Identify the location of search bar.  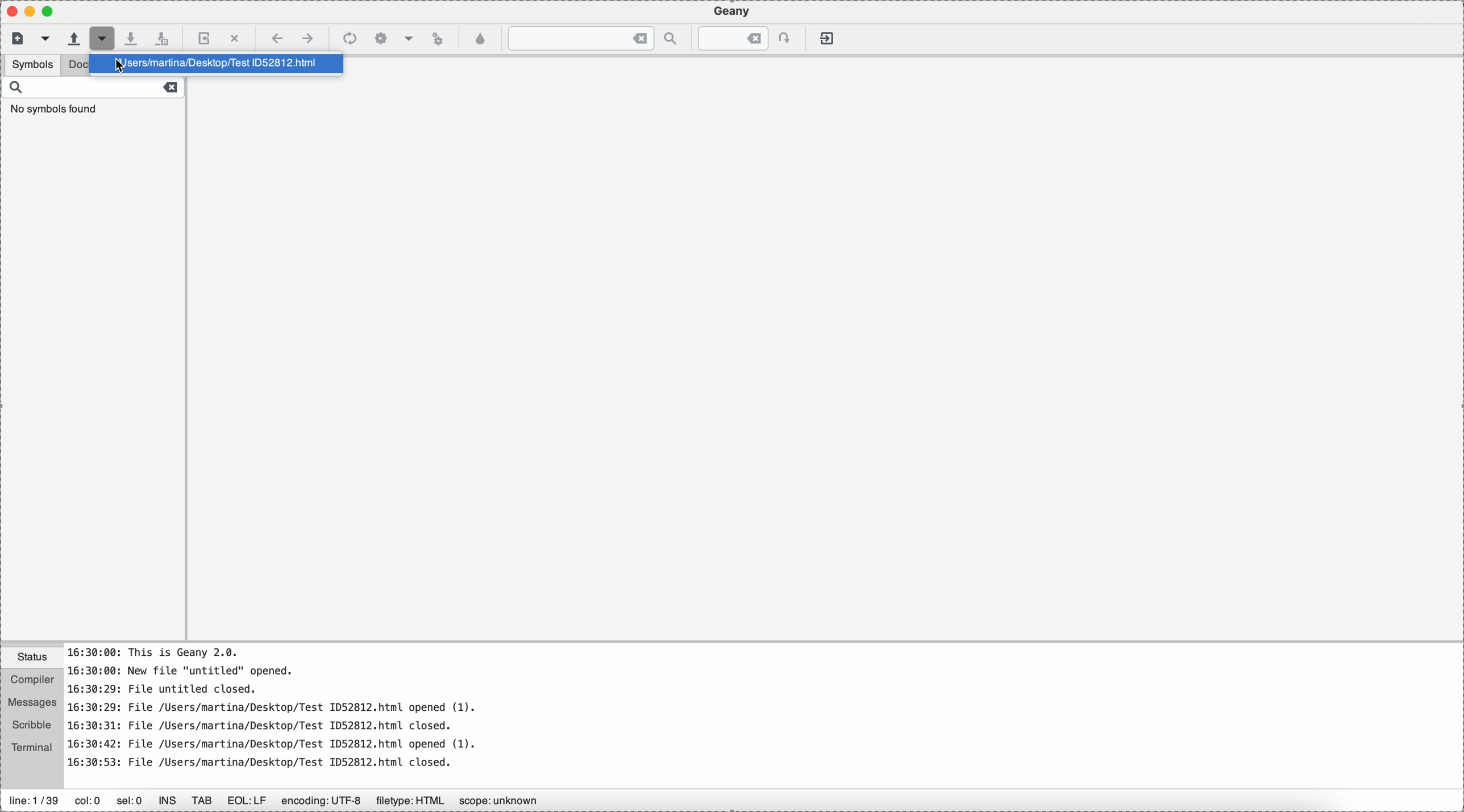
(93, 99).